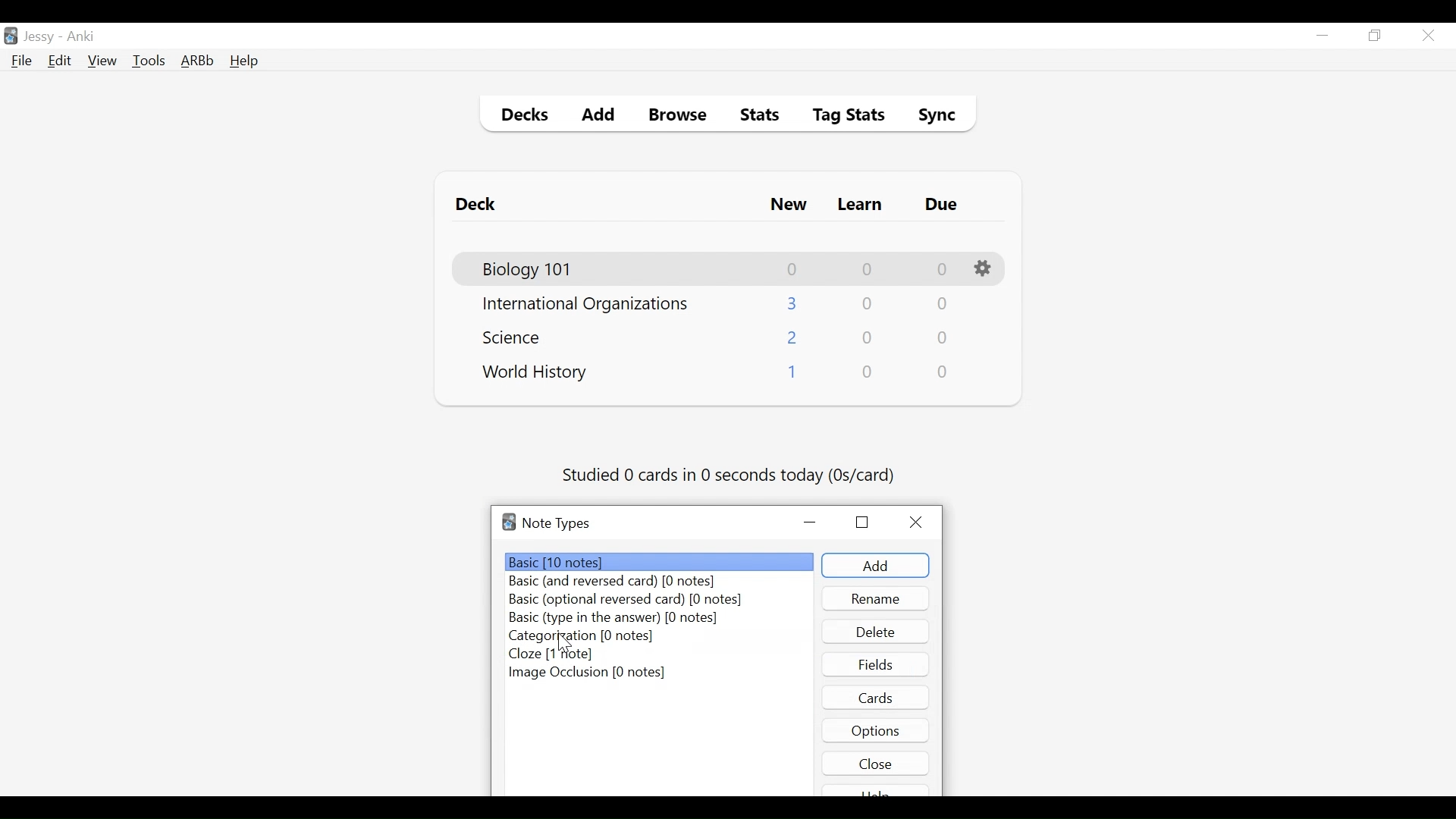 Image resolution: width=1456 pixels, height=819 pixels. I want to click on Anki Desktop icon, so click(11, 36).